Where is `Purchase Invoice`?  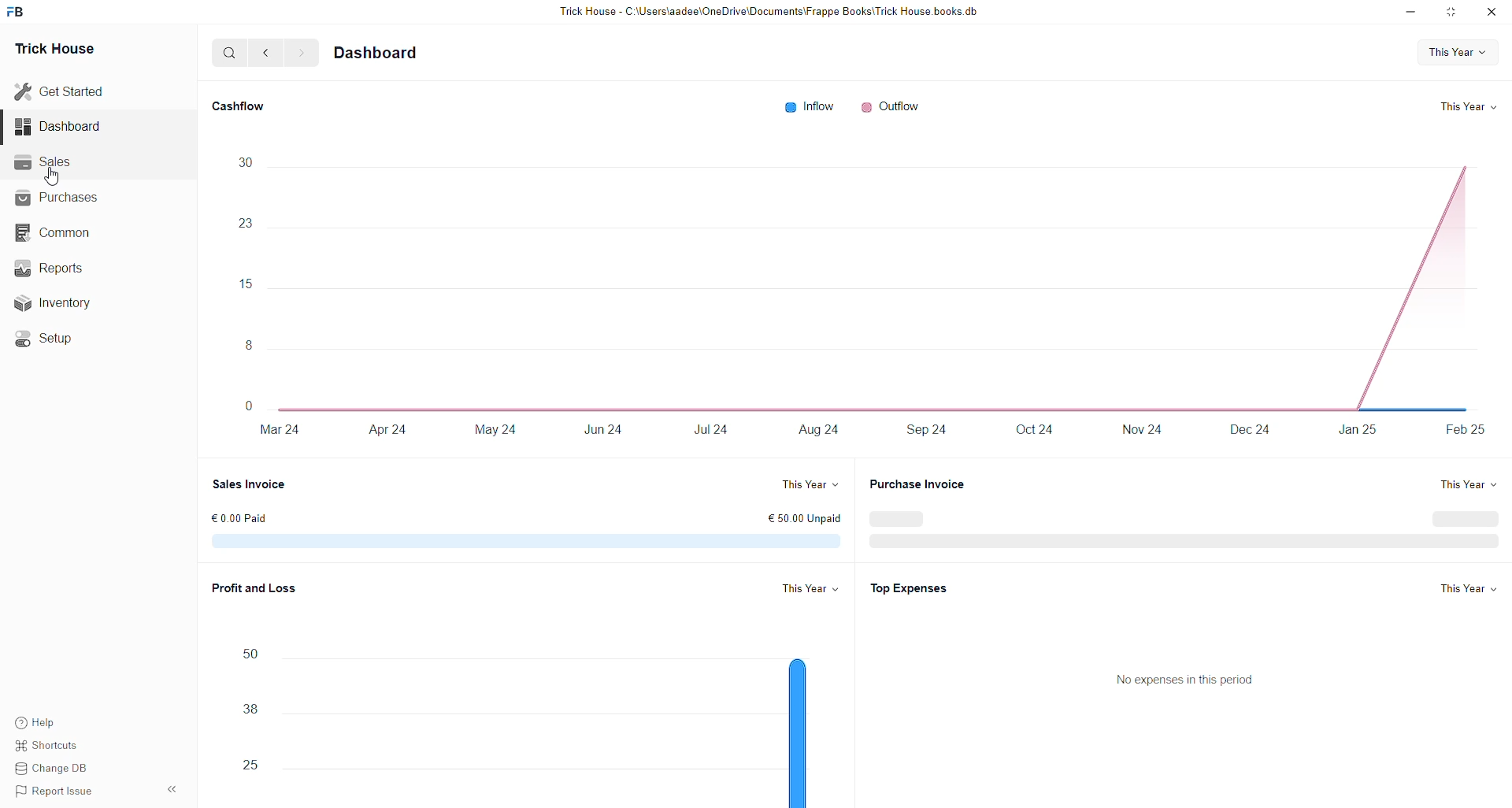
Purchase Invoice is located at coordinates (917, 486).